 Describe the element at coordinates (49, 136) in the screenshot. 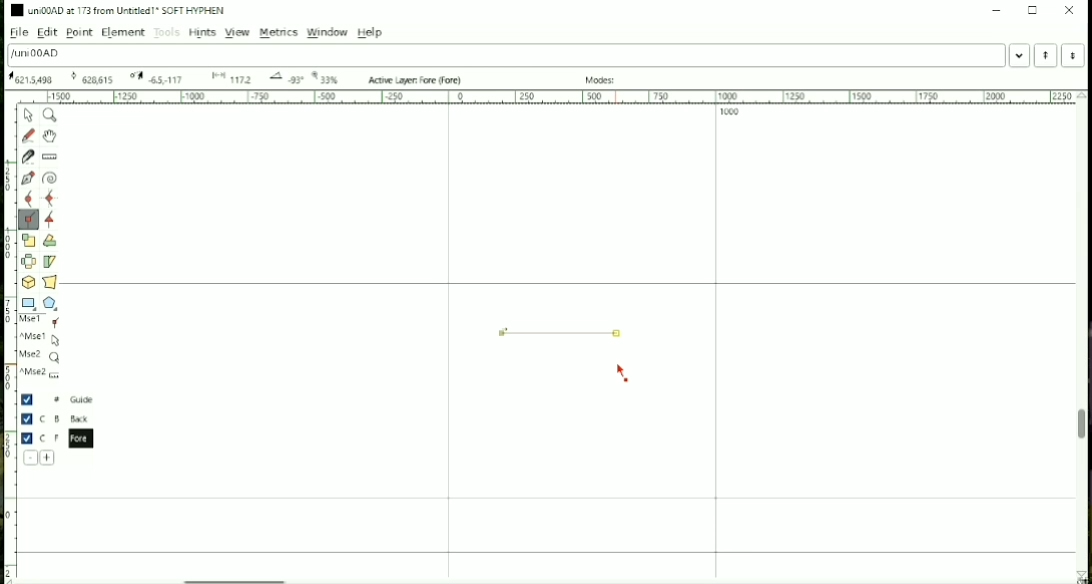

I see `Scroll by hand` at that location.